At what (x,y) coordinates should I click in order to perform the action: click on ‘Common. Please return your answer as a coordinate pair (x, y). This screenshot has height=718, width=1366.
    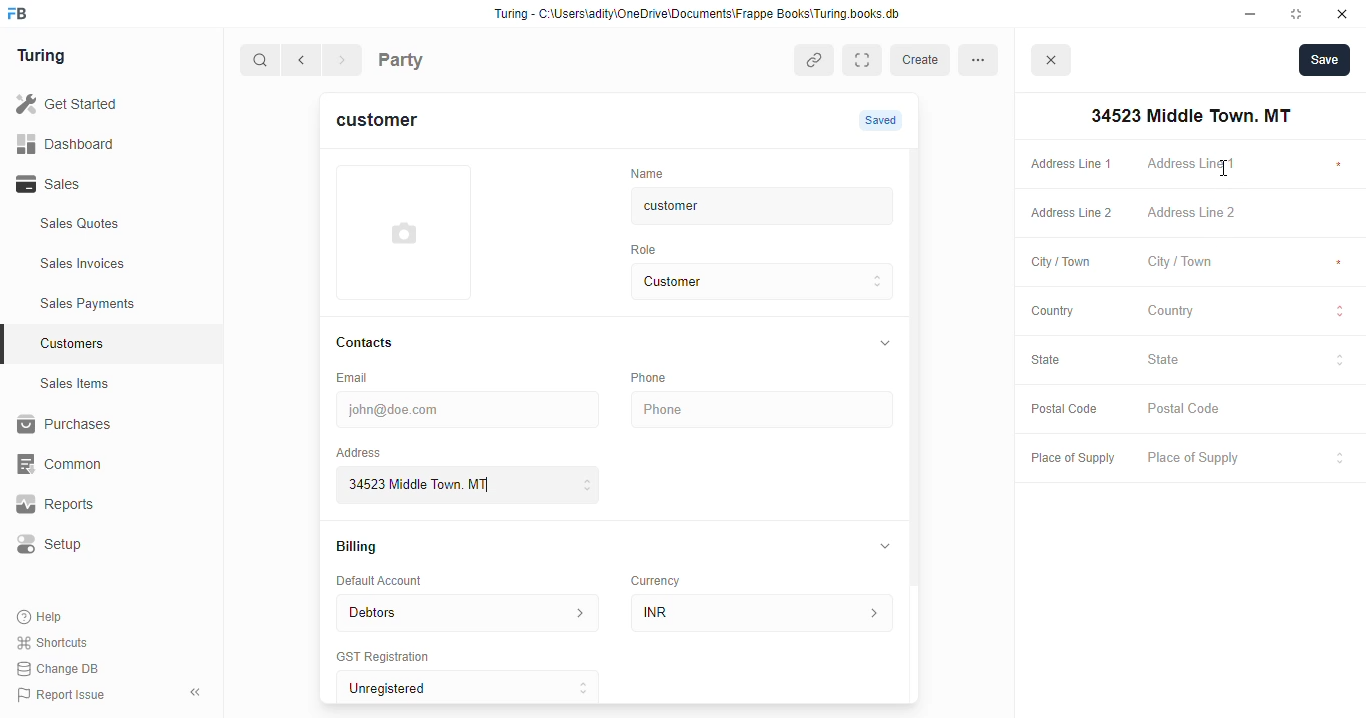
    Looking at the image, I should click on (100, 464).